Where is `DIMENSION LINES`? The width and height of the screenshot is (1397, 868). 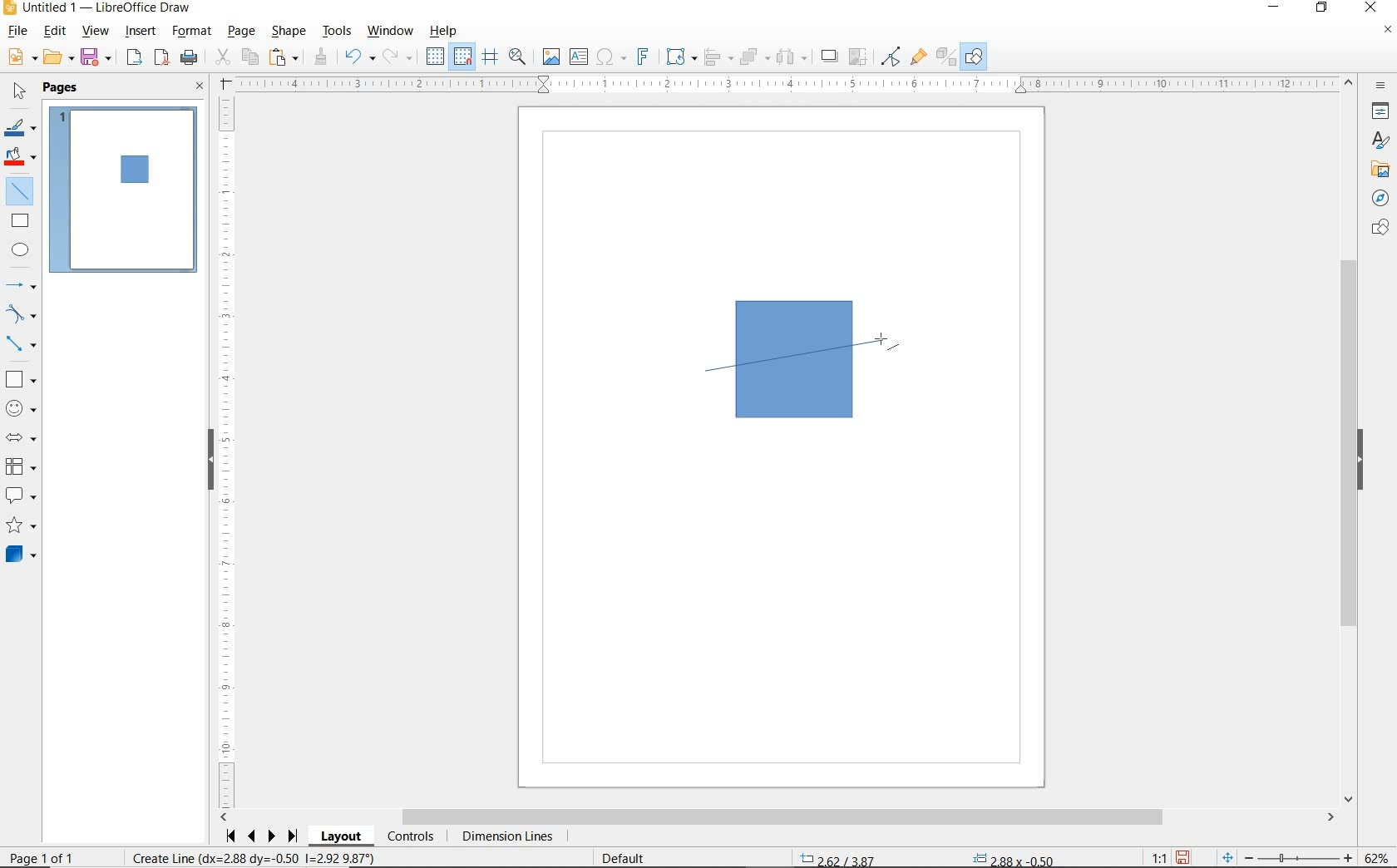 DIMENSION LINES is located at coordinates (506, 837).